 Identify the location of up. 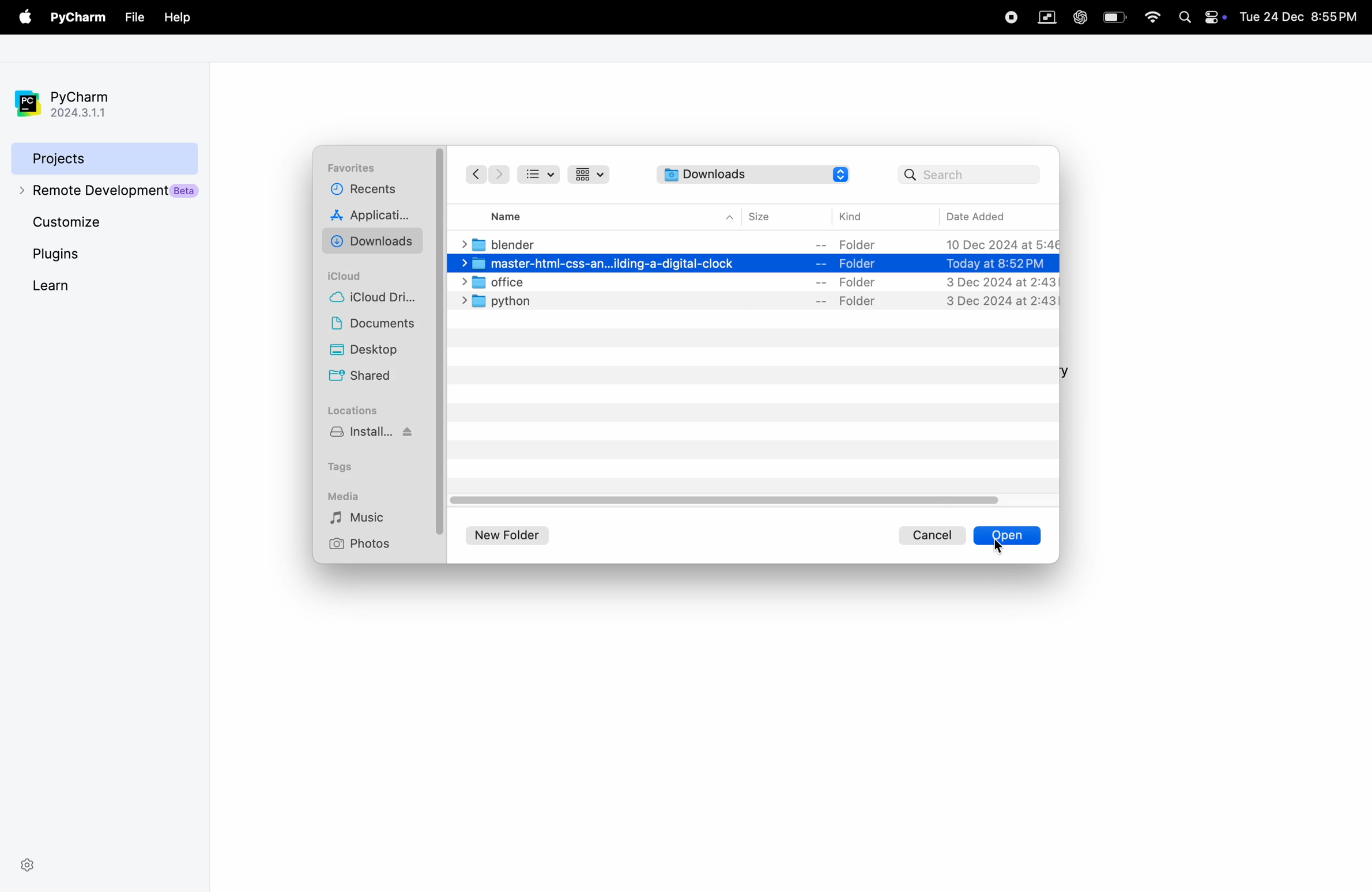
(730, 217).